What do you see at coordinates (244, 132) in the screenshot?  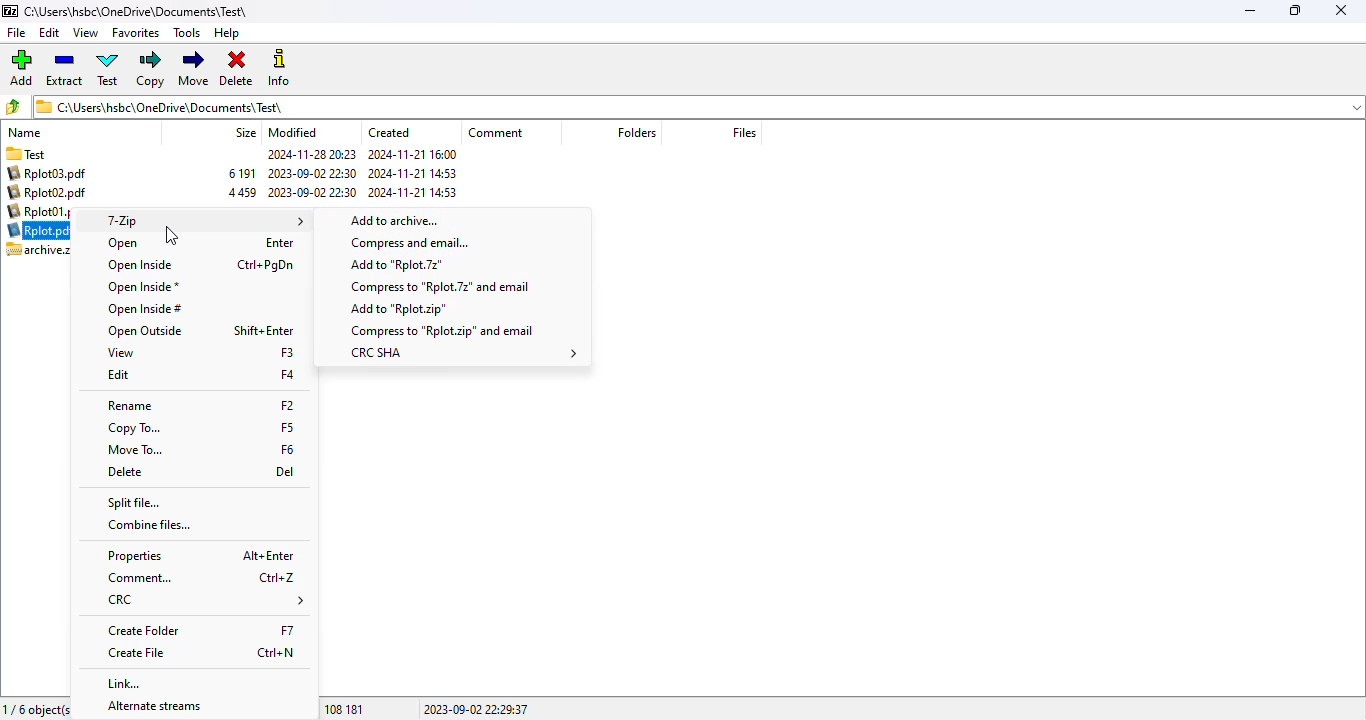 I see `size` at bounding box center [244, 132].